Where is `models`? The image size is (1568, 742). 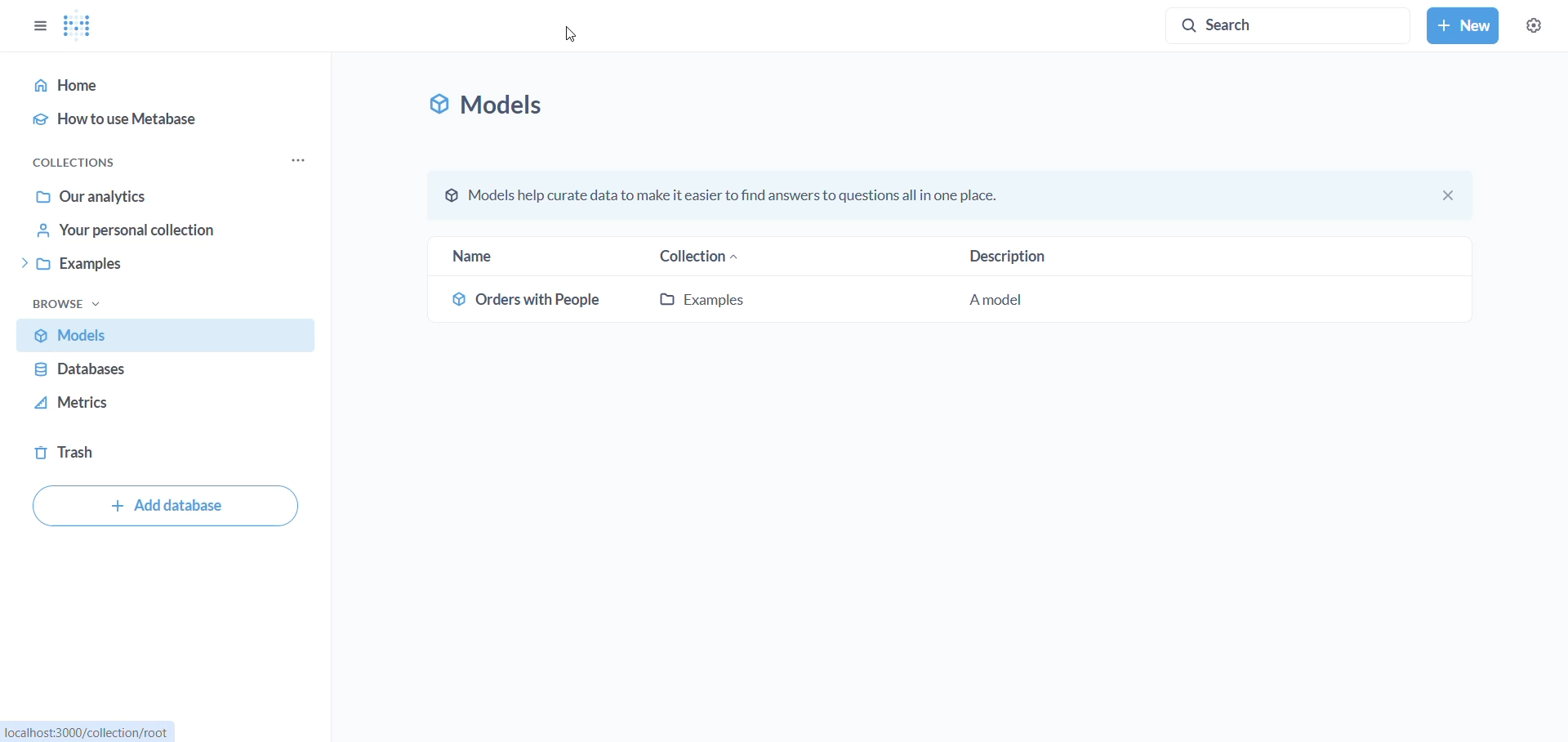 models is located at coordinates (503, 105).